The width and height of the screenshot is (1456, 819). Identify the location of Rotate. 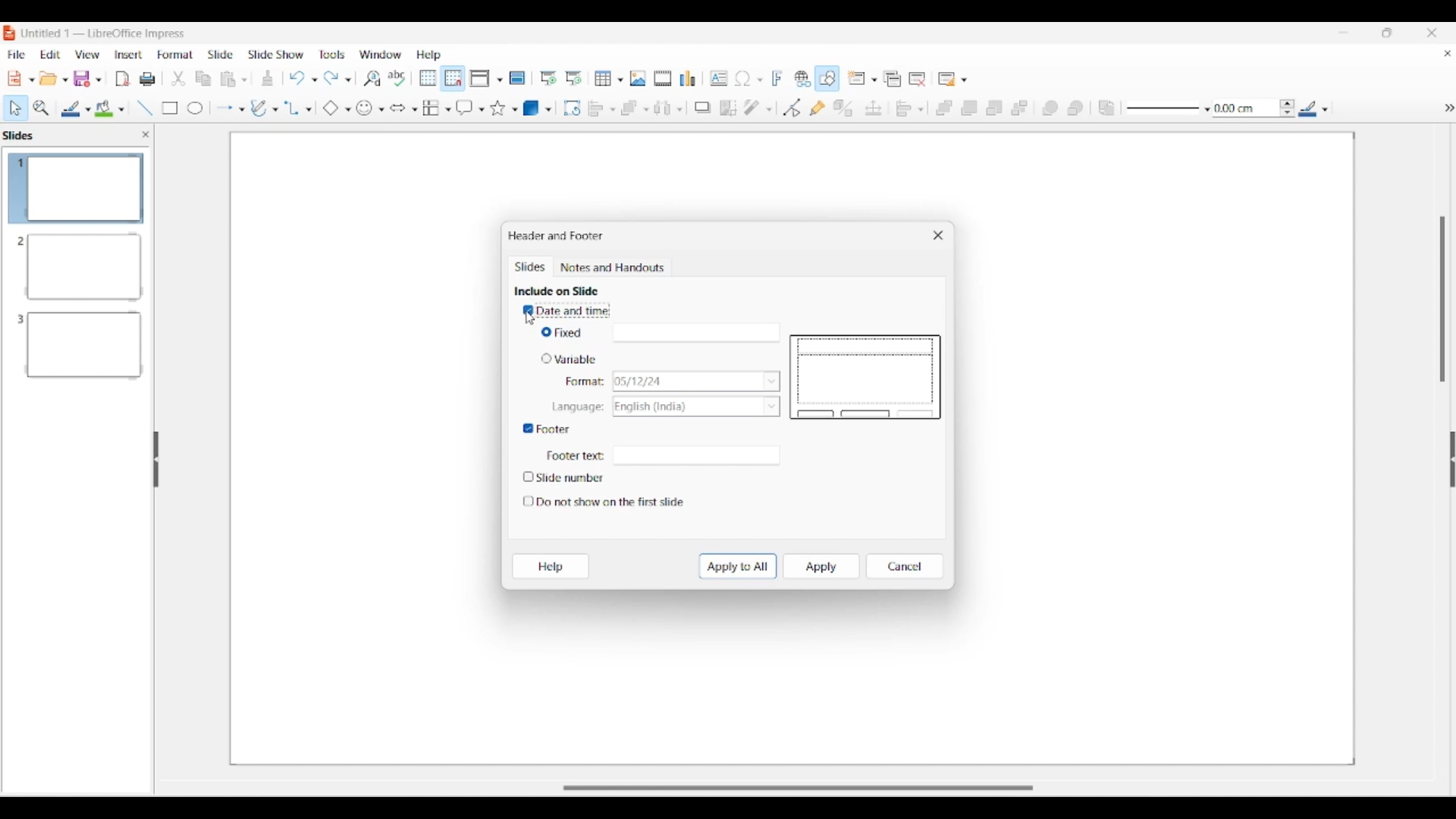
(573, 108).